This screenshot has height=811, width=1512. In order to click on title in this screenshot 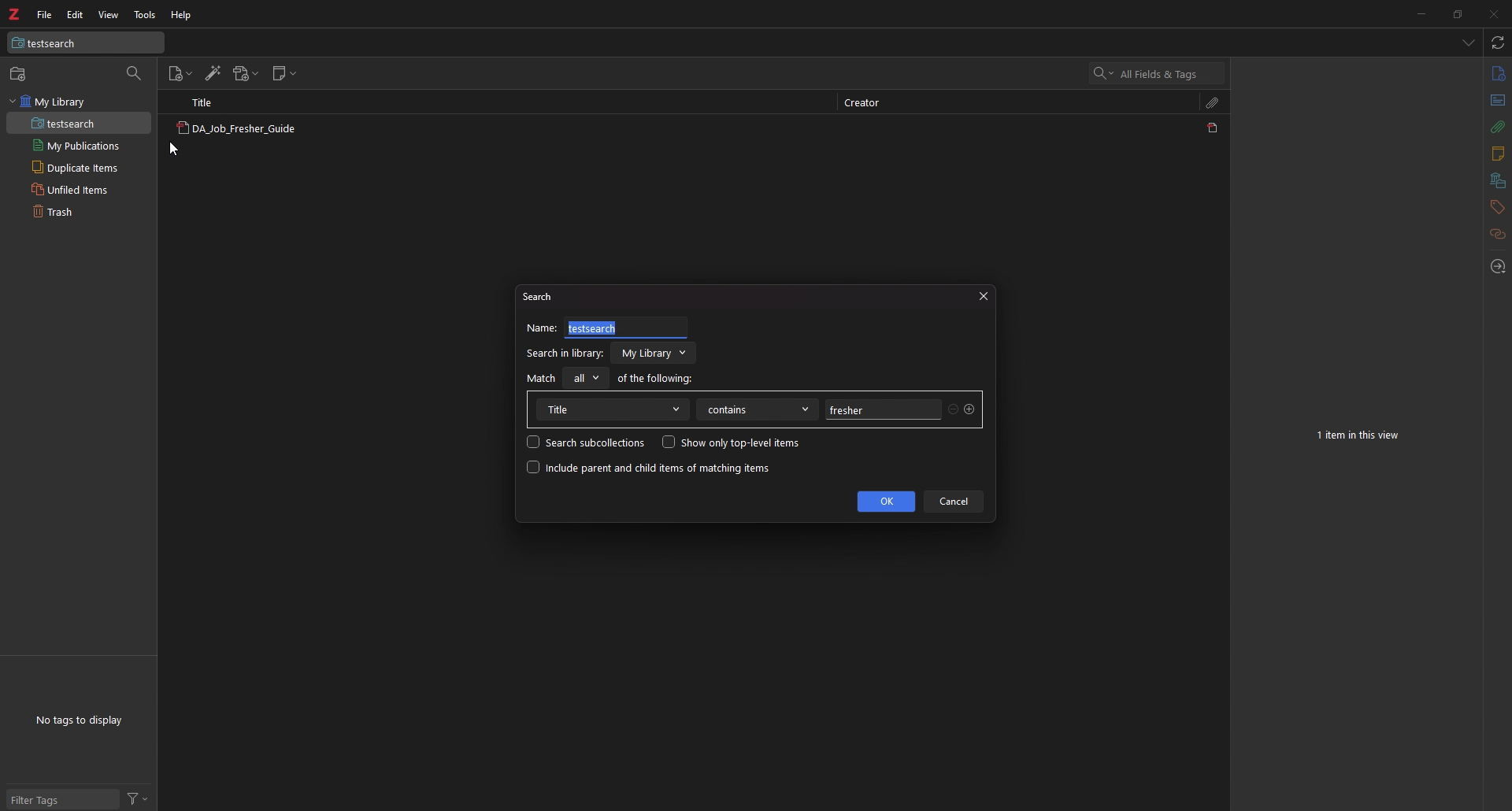, I will do `click(210, 102)`.